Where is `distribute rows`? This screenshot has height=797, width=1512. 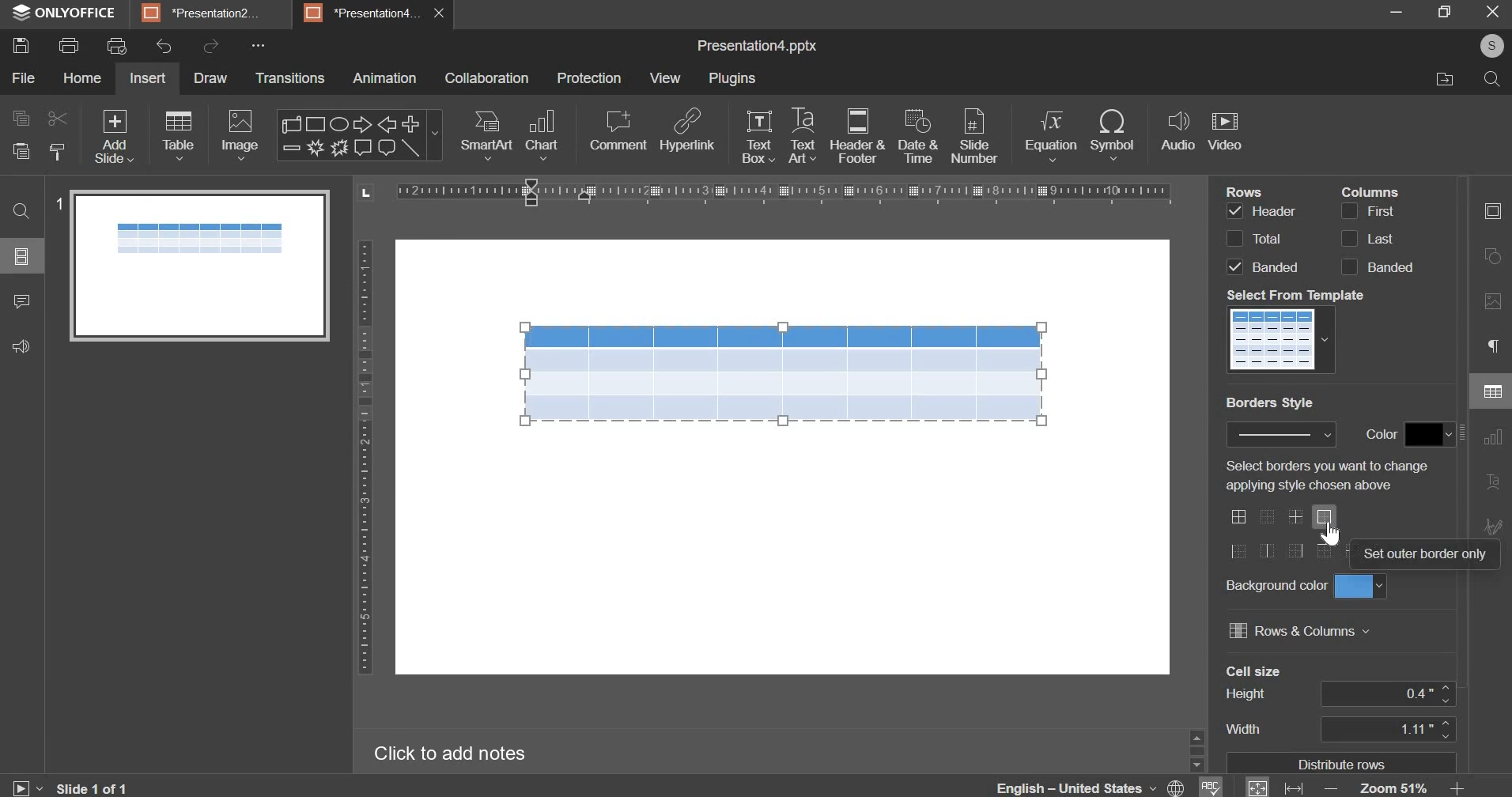
distribute rows is located at coordinates (1339, 761).